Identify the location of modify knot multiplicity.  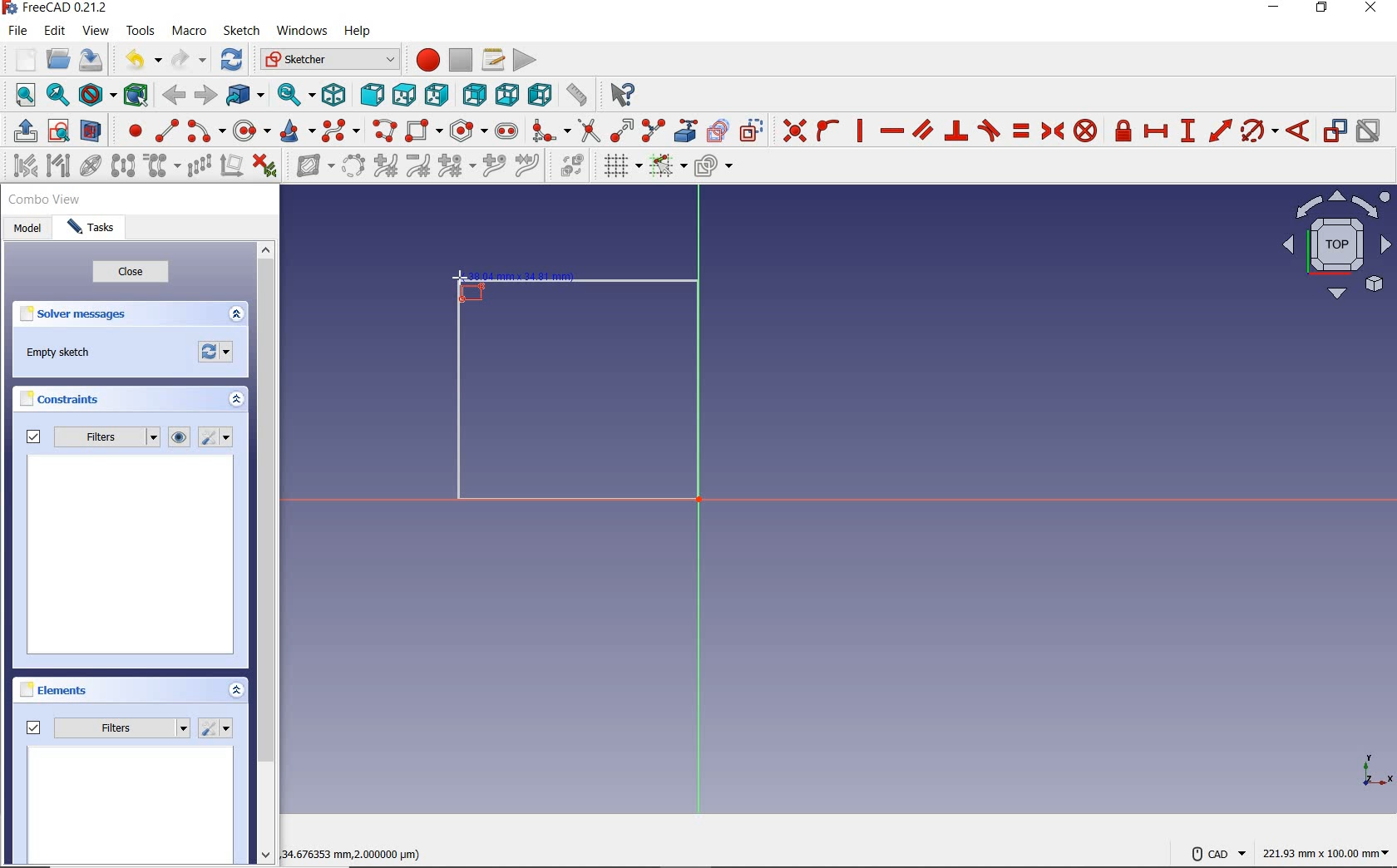
(455, 167).